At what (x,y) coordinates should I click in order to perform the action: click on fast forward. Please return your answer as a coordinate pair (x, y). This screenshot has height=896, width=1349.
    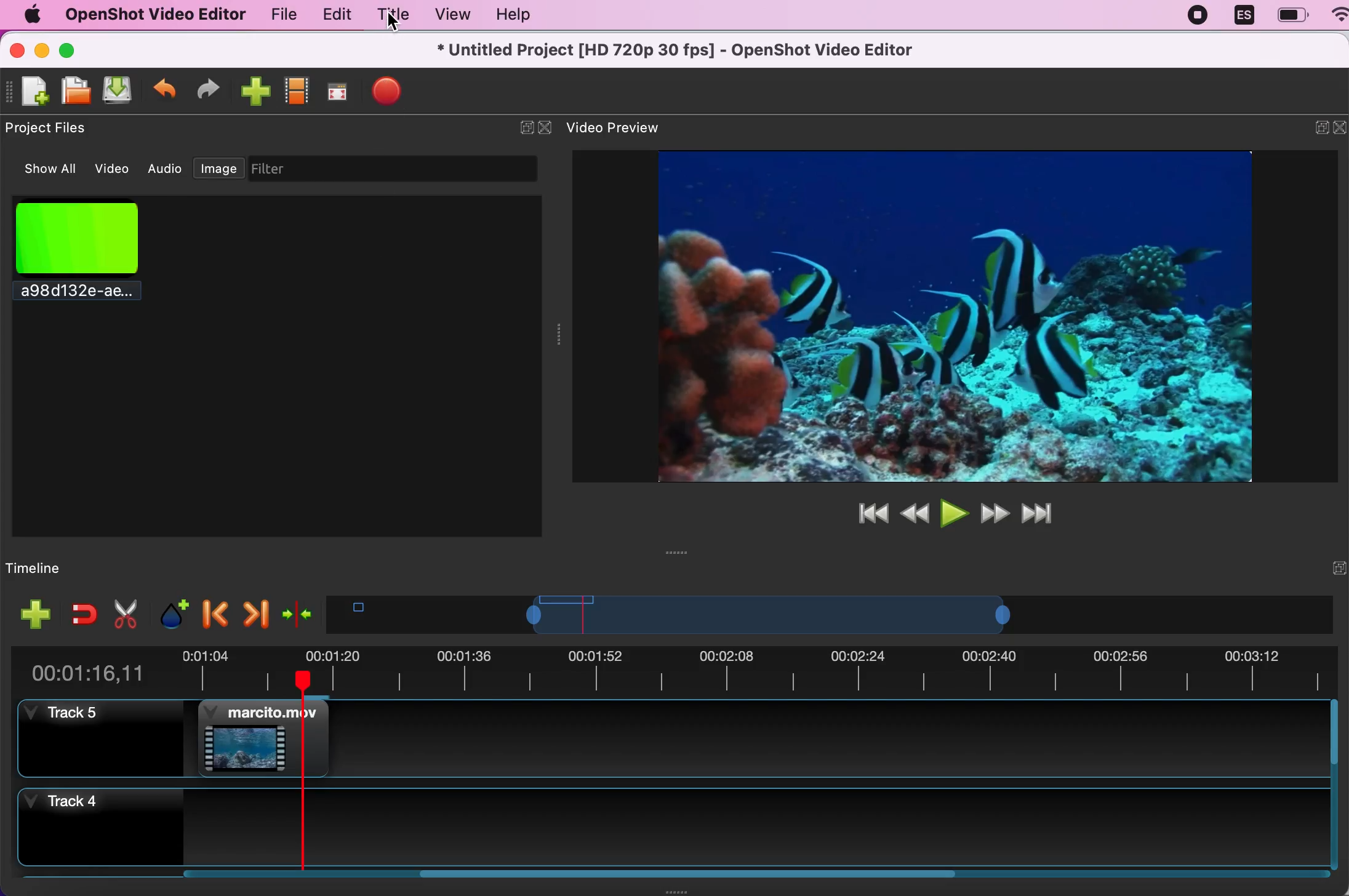
    Looking at the image, I should click on (995, 513).